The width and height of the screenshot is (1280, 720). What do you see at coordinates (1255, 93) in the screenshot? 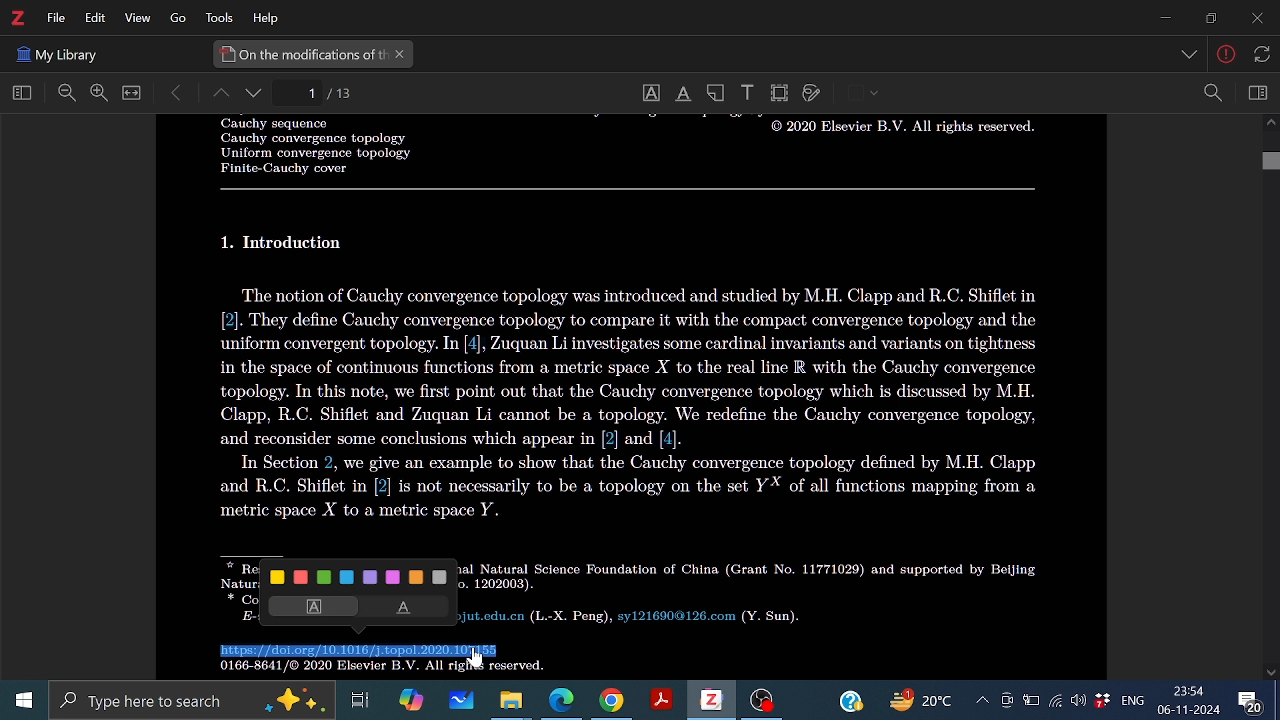
I see `Sidebar view` at bounding box center [1255, 93].